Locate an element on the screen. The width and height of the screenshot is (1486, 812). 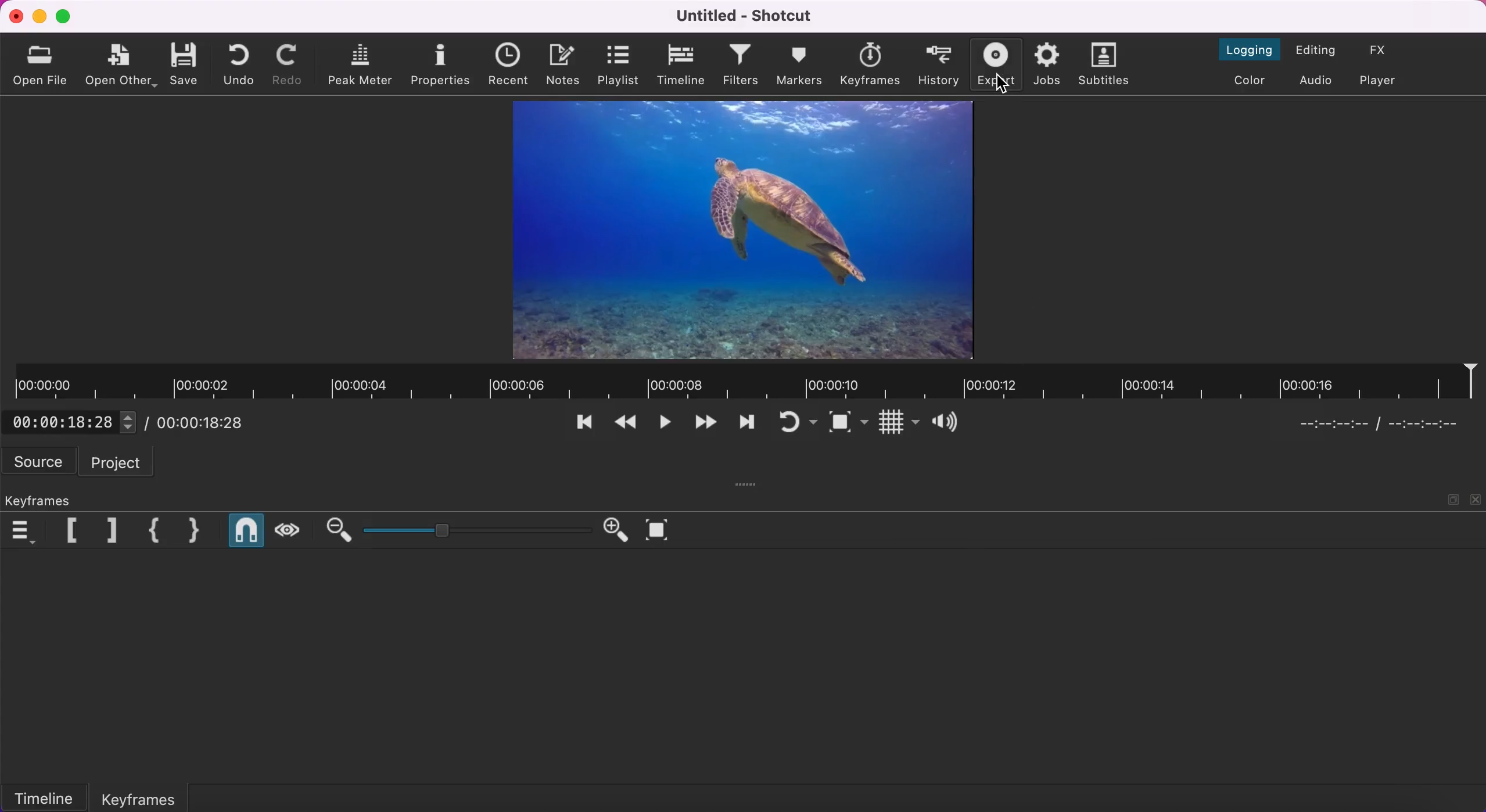
markers is located at coordinates (799, 64).